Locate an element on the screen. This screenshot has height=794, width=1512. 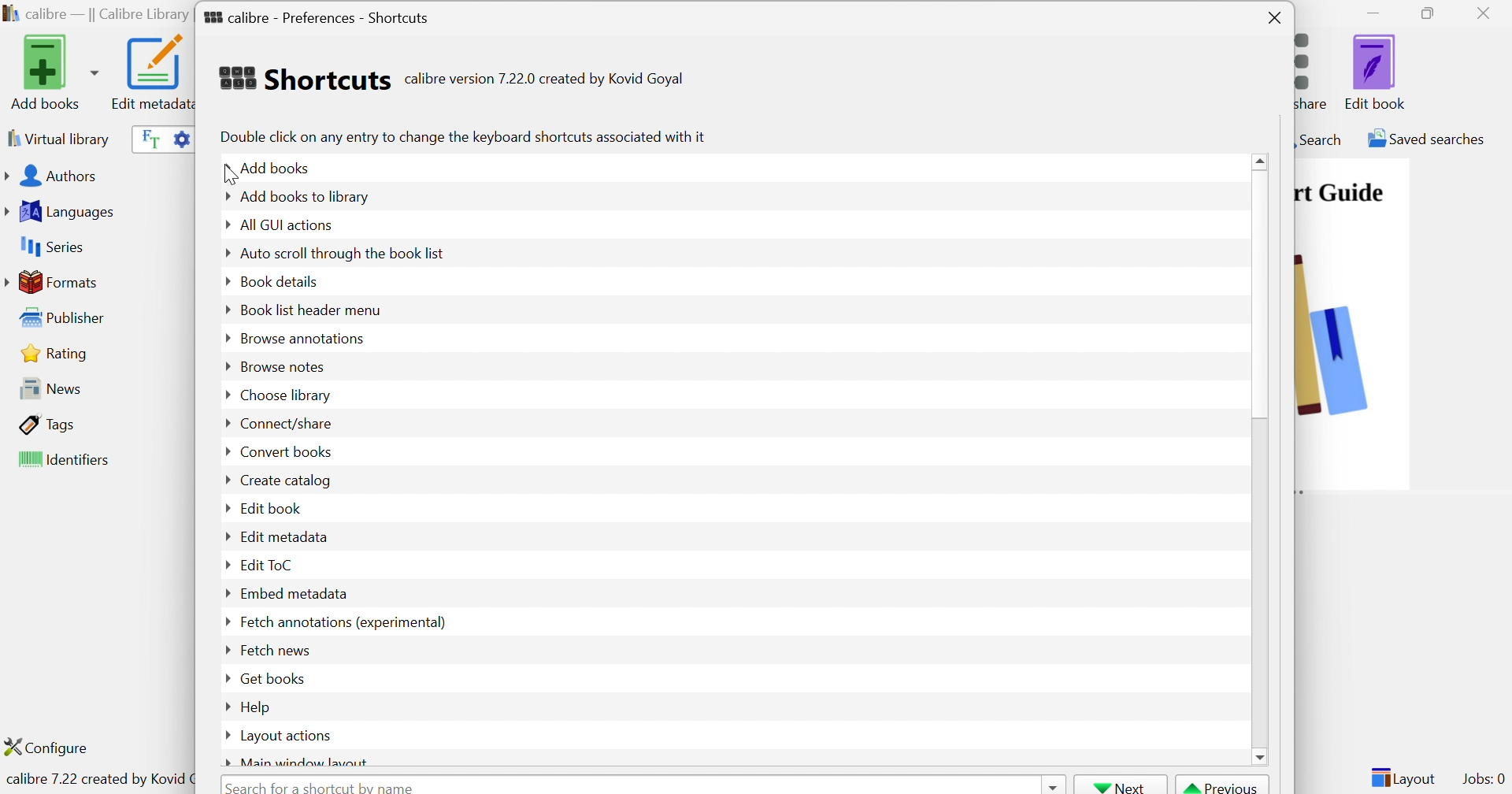
Add books to library is located at coordinates (306, 196).